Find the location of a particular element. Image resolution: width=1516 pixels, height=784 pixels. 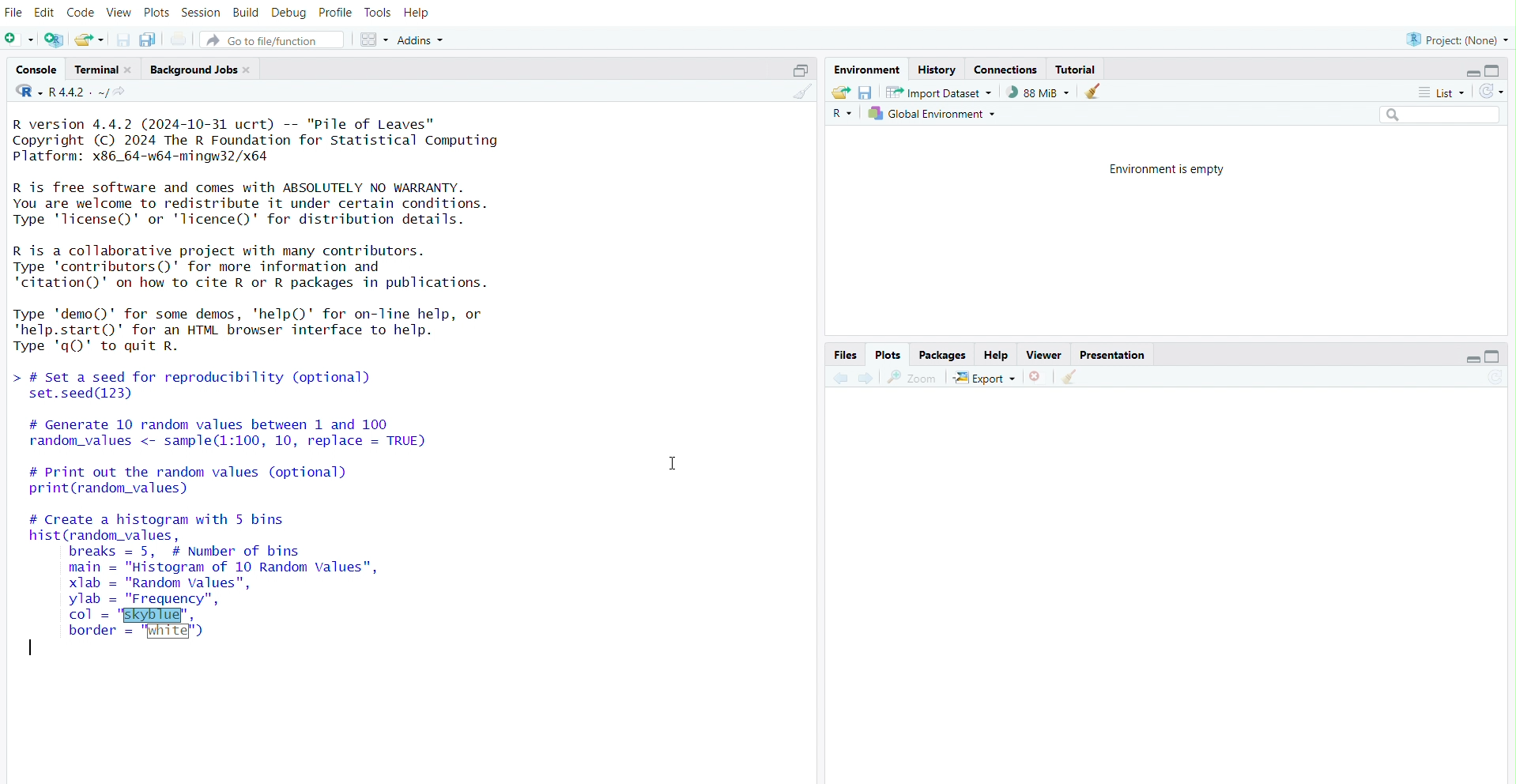

close is located at coordinates (132, 68).